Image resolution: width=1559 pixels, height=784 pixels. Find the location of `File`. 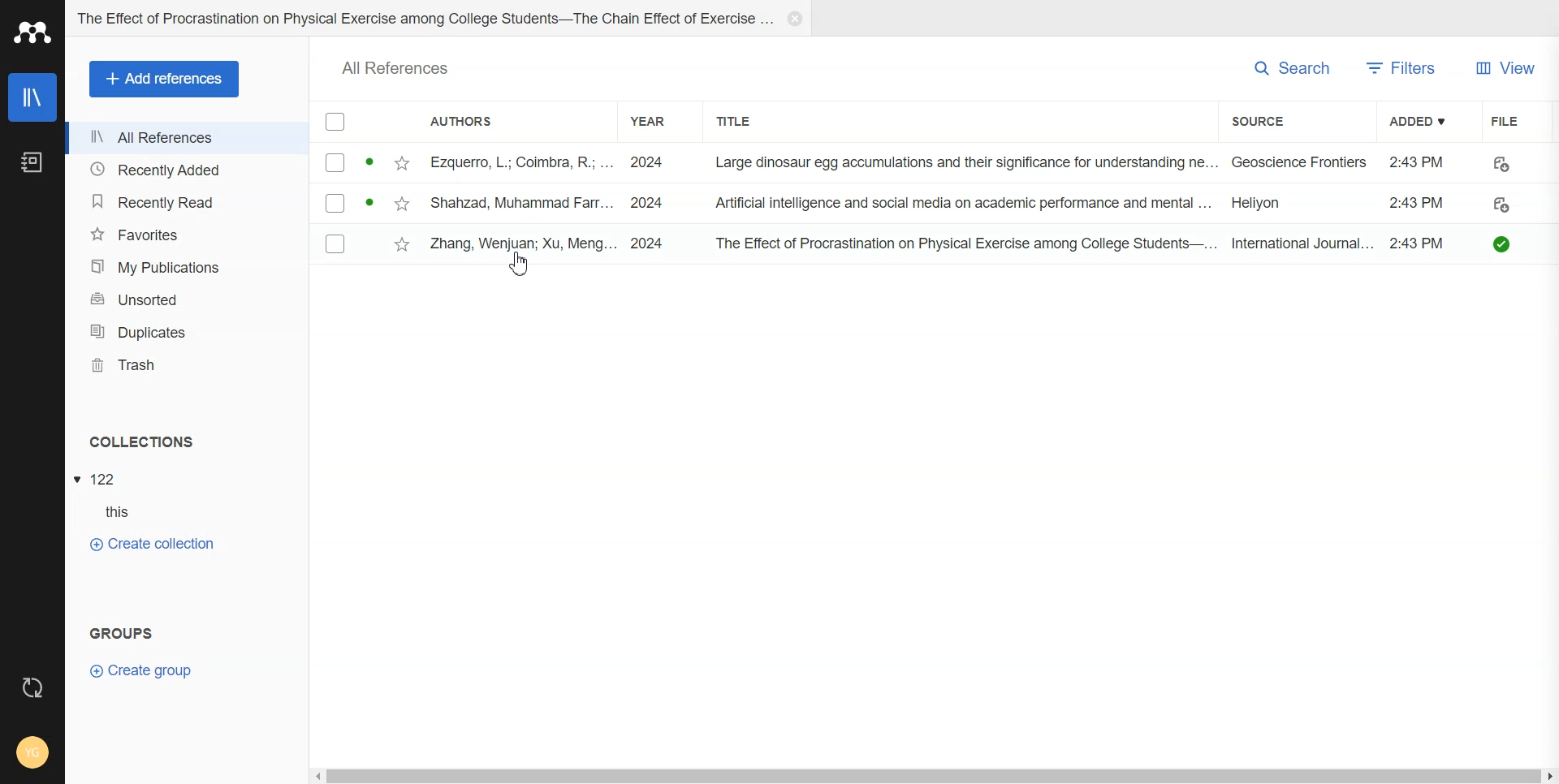

File is located at coordinates (98, 478).